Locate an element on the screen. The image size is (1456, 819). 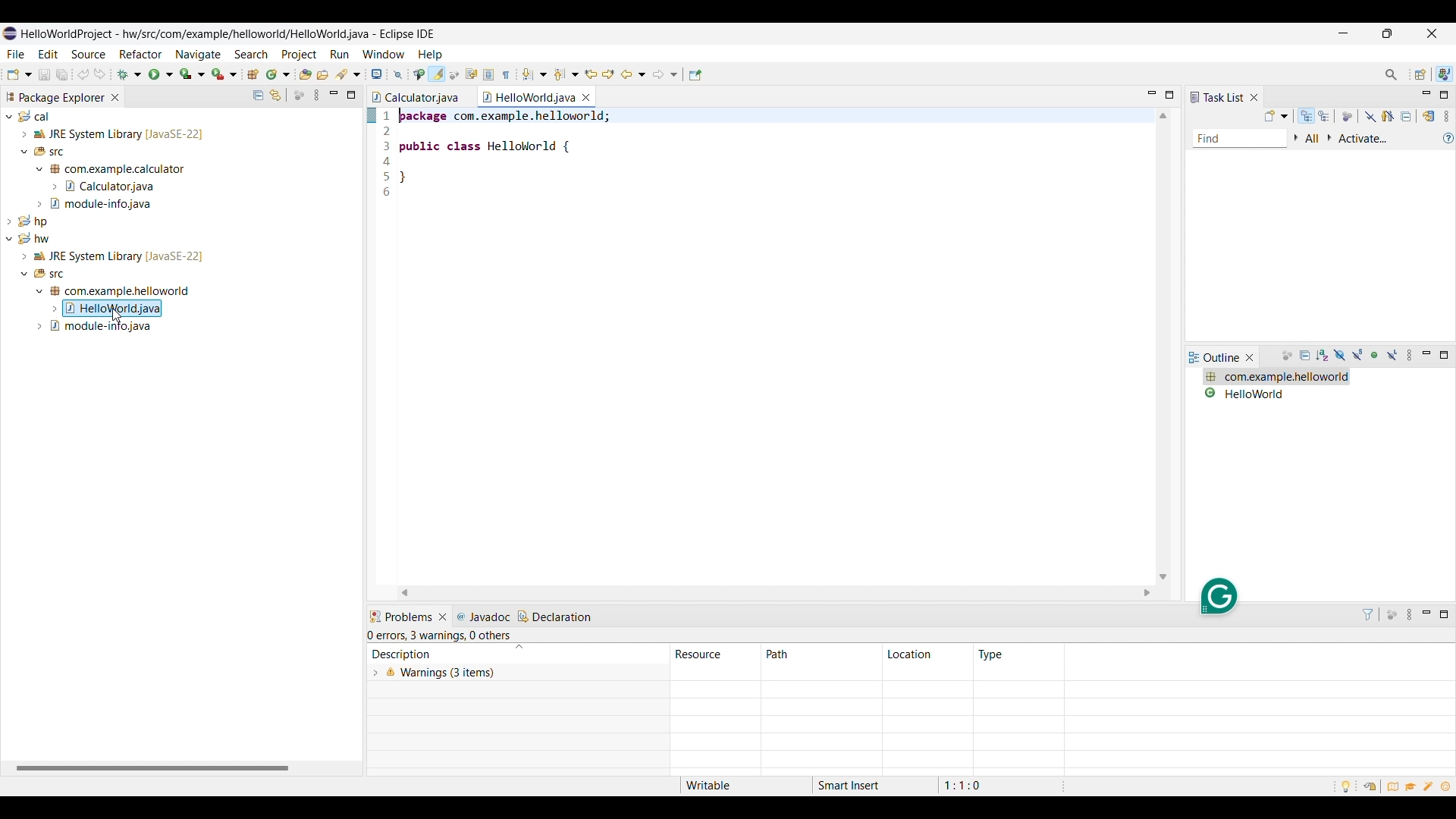
Help is located at coordinates (431, 55).